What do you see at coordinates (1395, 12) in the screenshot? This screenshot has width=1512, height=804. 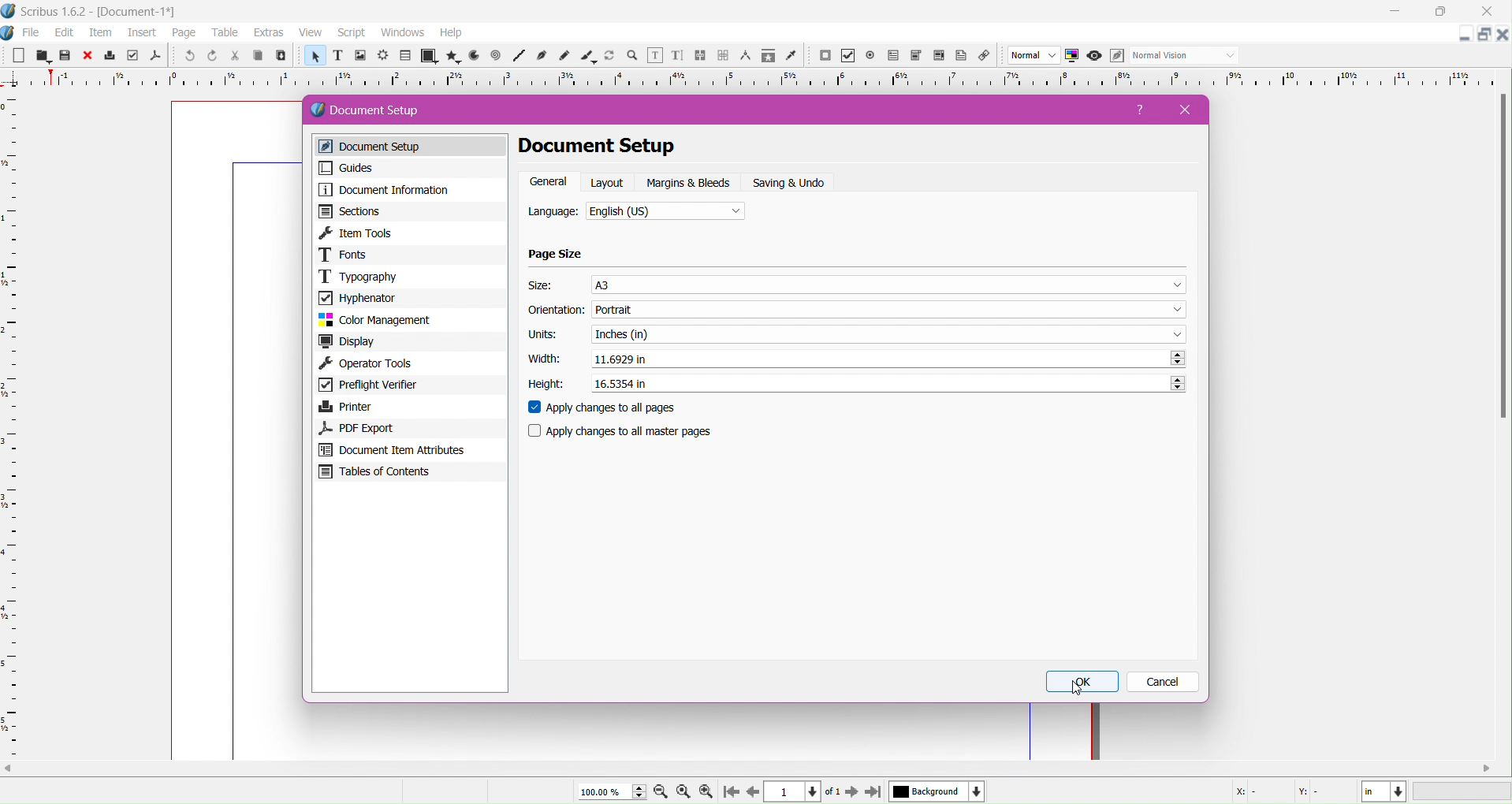 I see `minimize` at bounding box center [1395, 12].